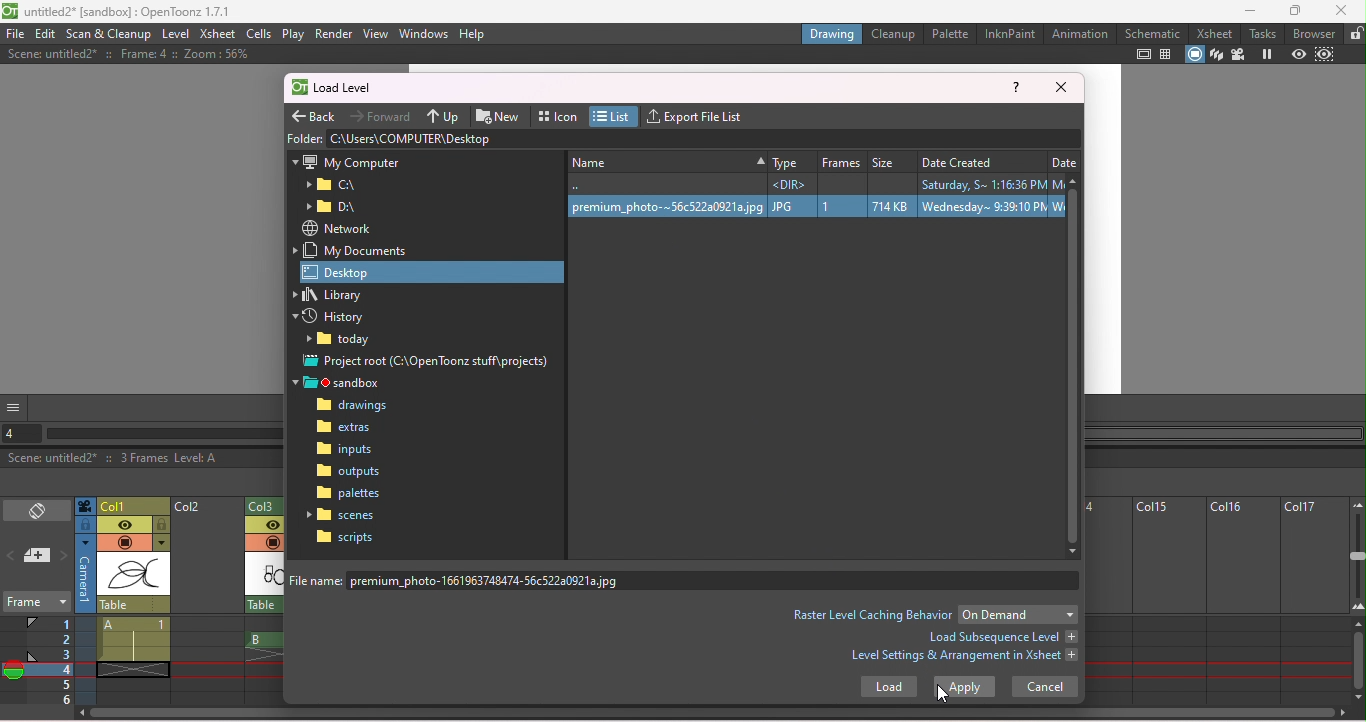 This screenshot has height=722, width=1366. I want to click on Lock rooms lock, so click(1355, 33).